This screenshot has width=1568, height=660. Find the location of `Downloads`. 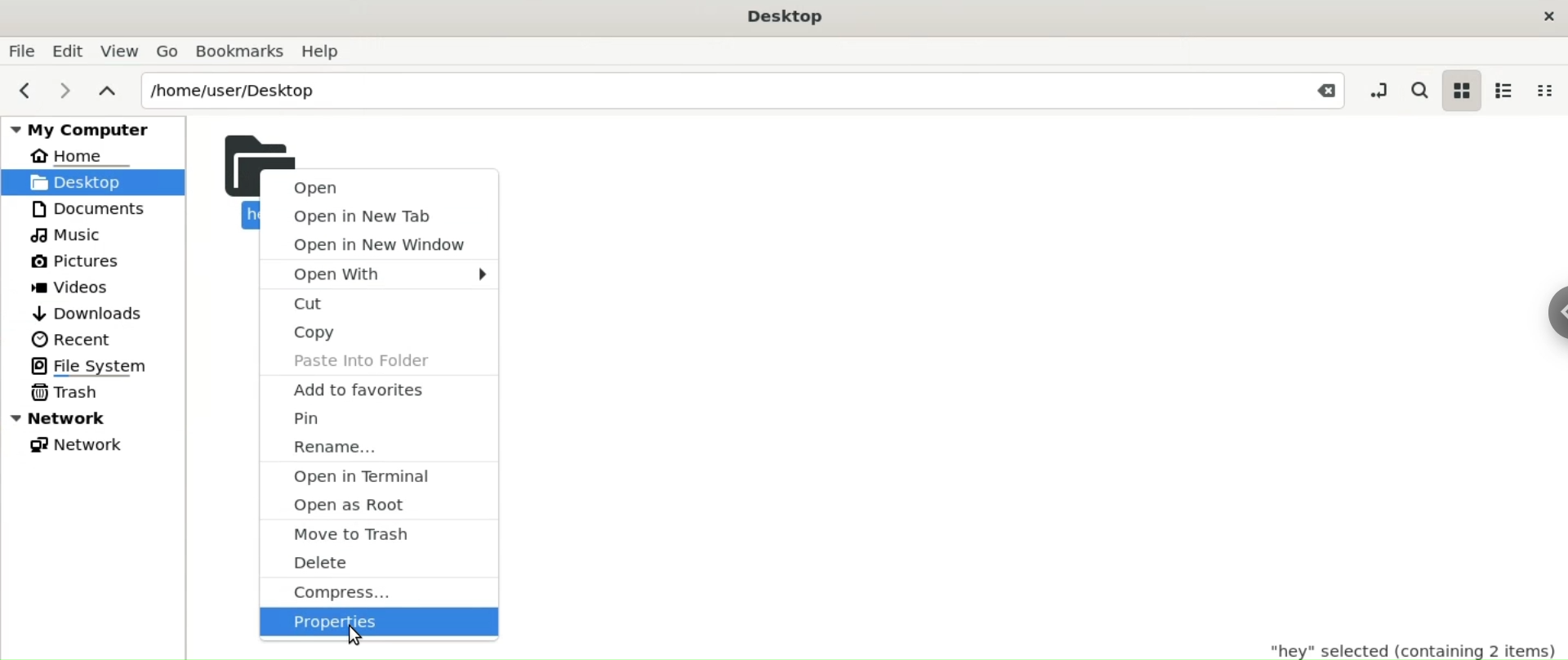

Downloads is located at coordinates (91, 313).